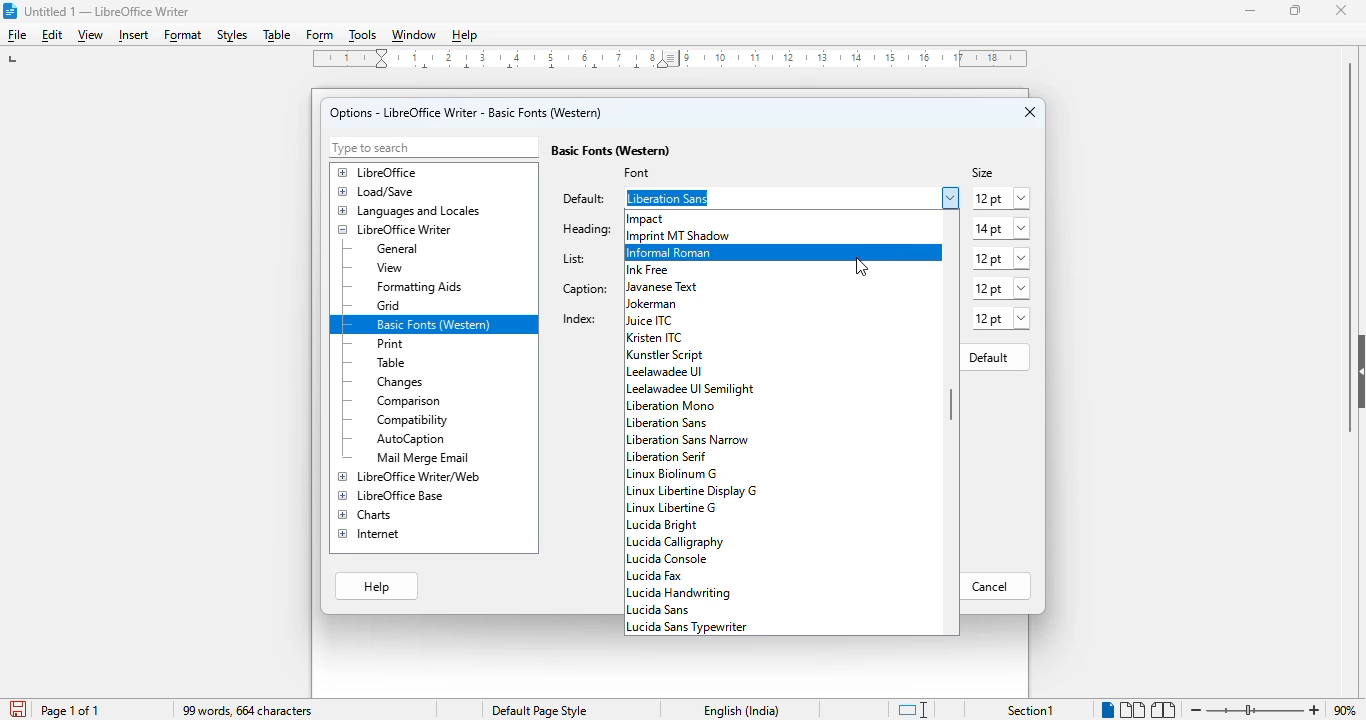 Image resolution: width=1366 pixels, height=720 pixels. I want to click on LibreOffice Base, so click(391, 496).